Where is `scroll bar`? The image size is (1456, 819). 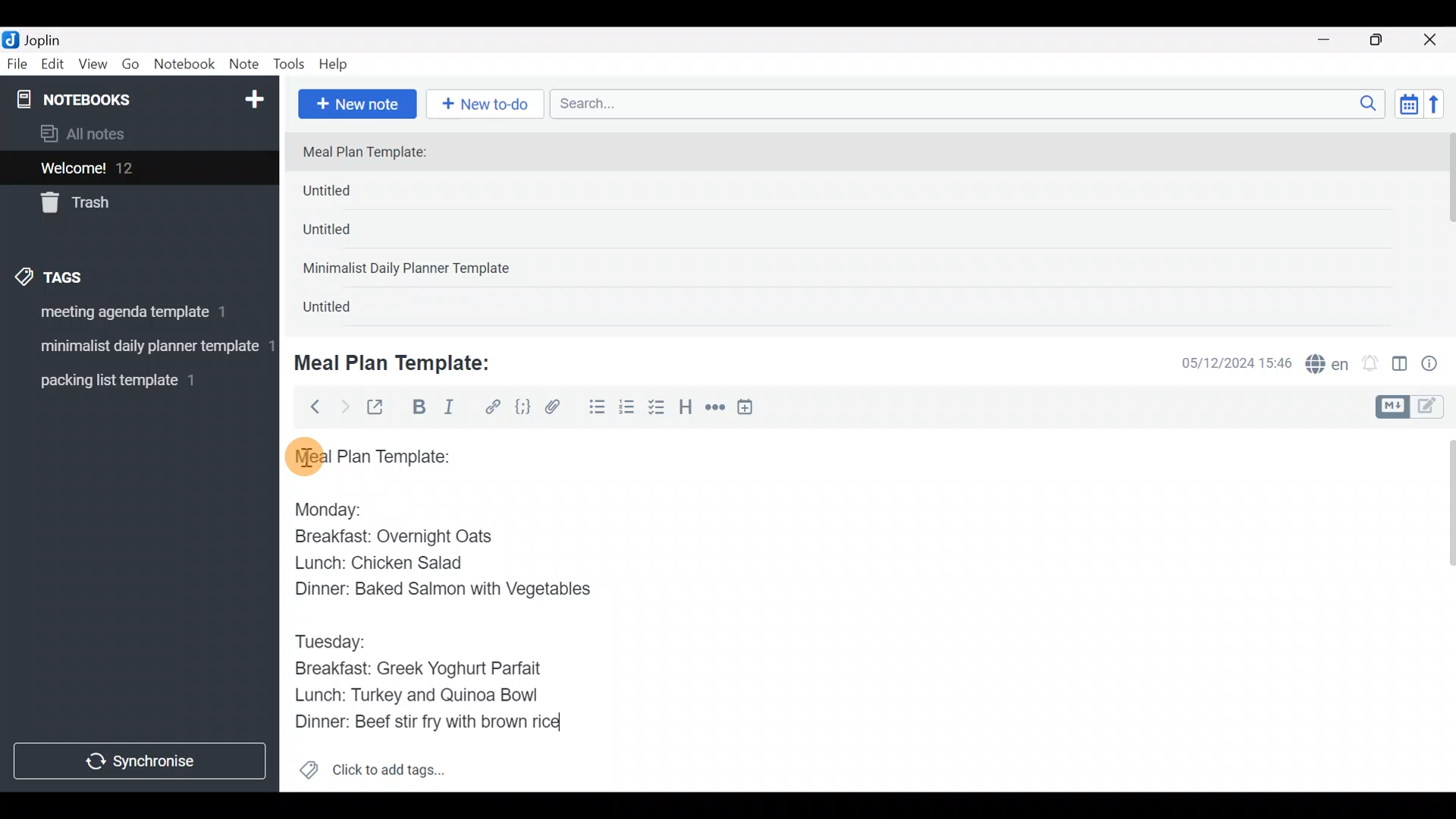 scroll bar is located at coordinates (1446, 229).